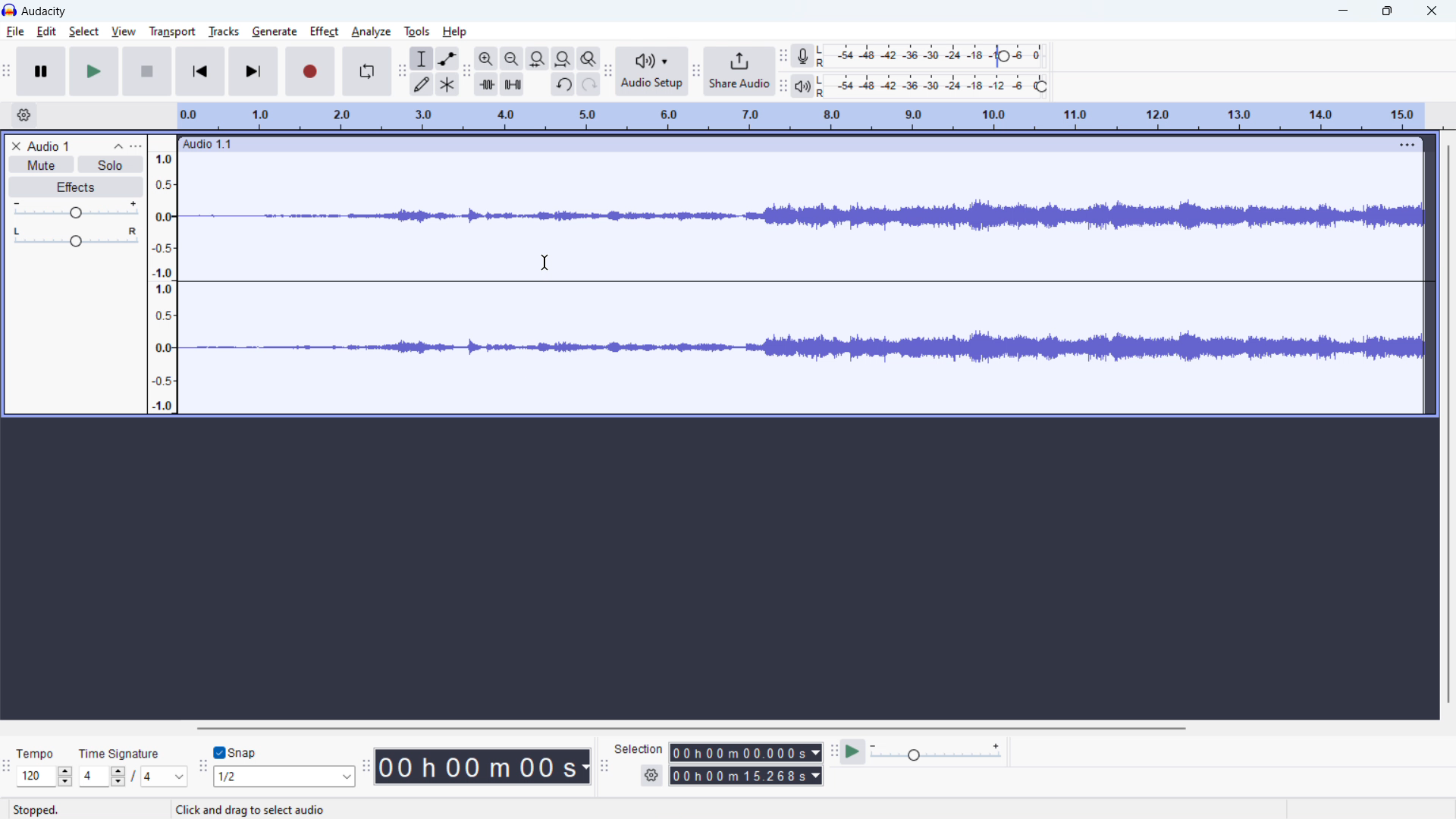 This screenshot has height=819, width=1456. Describe the element at coordinates (466, 71) in the screenshot. I see `edit toolbar` at that location.